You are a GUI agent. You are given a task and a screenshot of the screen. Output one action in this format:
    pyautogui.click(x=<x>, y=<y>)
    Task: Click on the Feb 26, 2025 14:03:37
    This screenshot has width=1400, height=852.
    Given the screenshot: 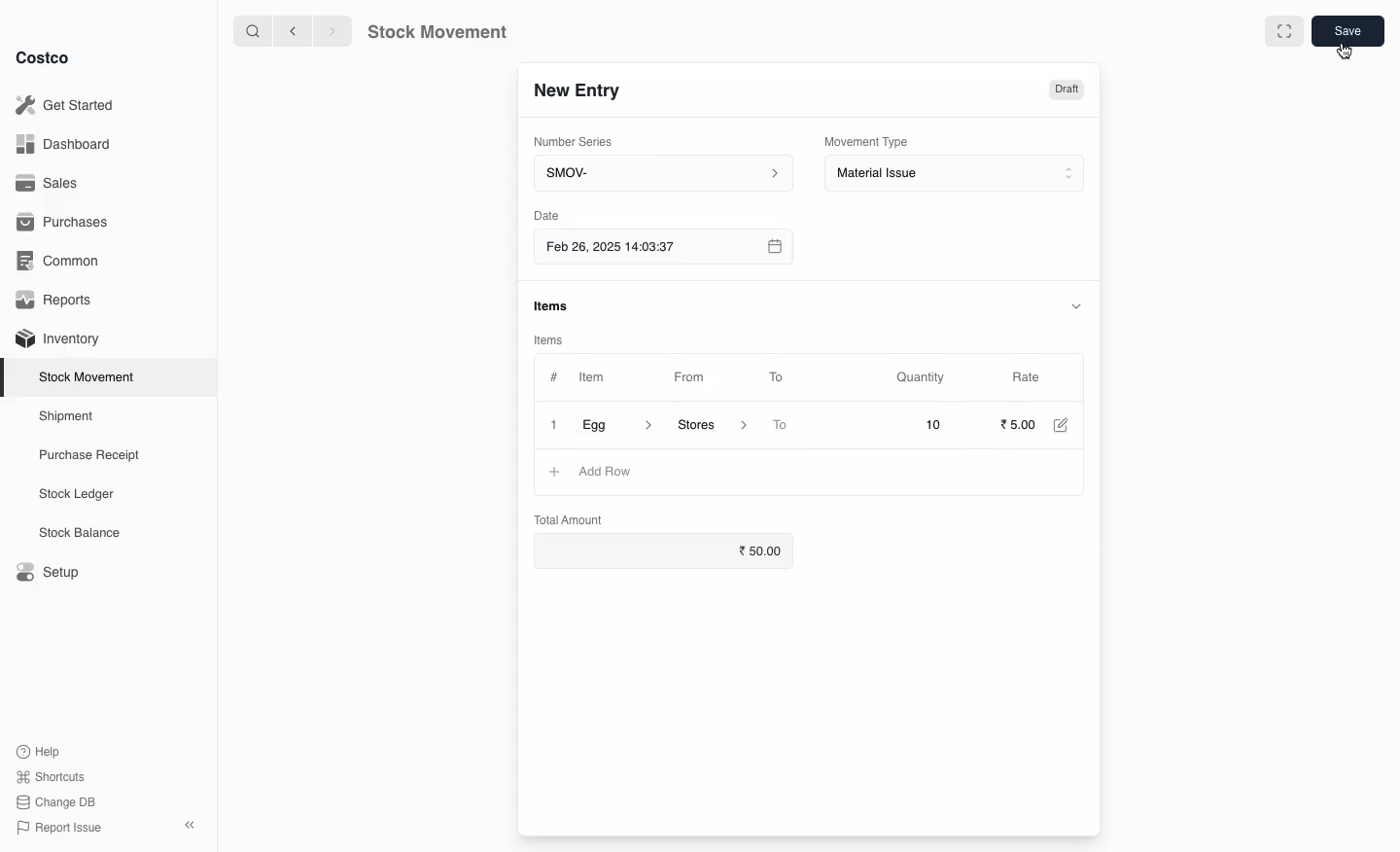 What is the action you would take?
    pyautogui.click(x=662, y=248)
    